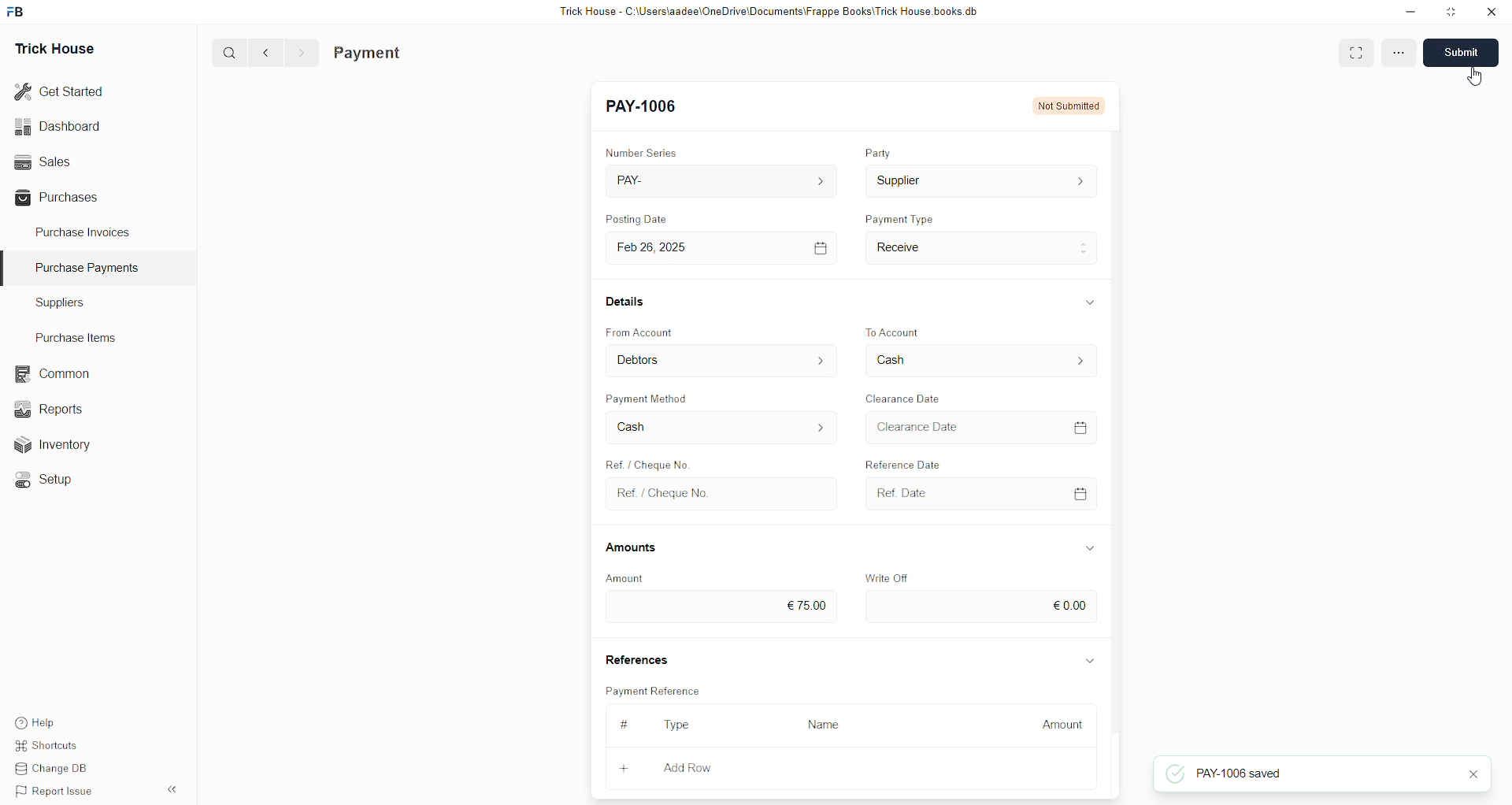  Describe the element at coordinates (637, 547) in the screenshot. I see `Amounts` at that location.